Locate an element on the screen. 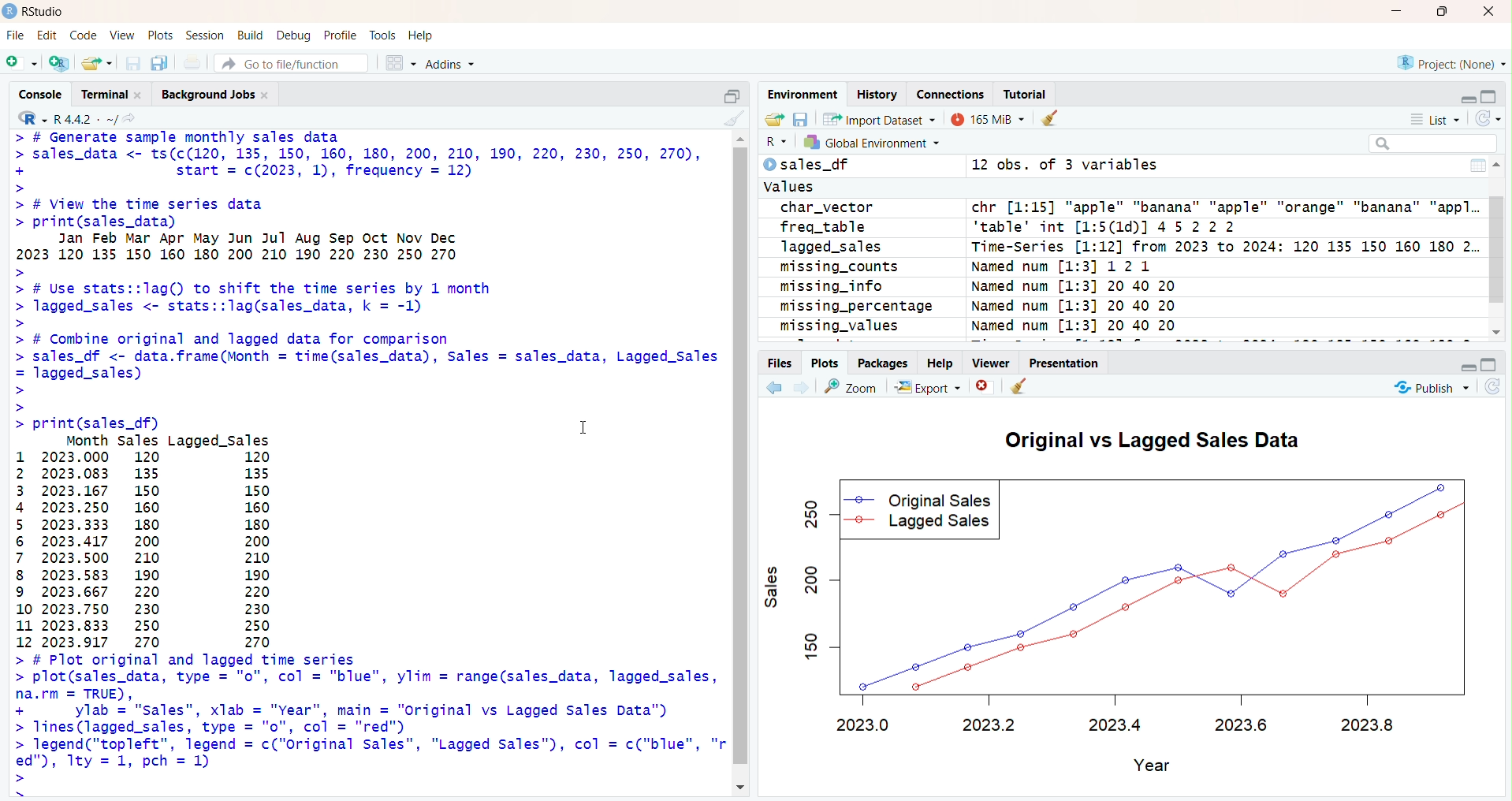  scrollbar is located at coordinates (1499, 248).